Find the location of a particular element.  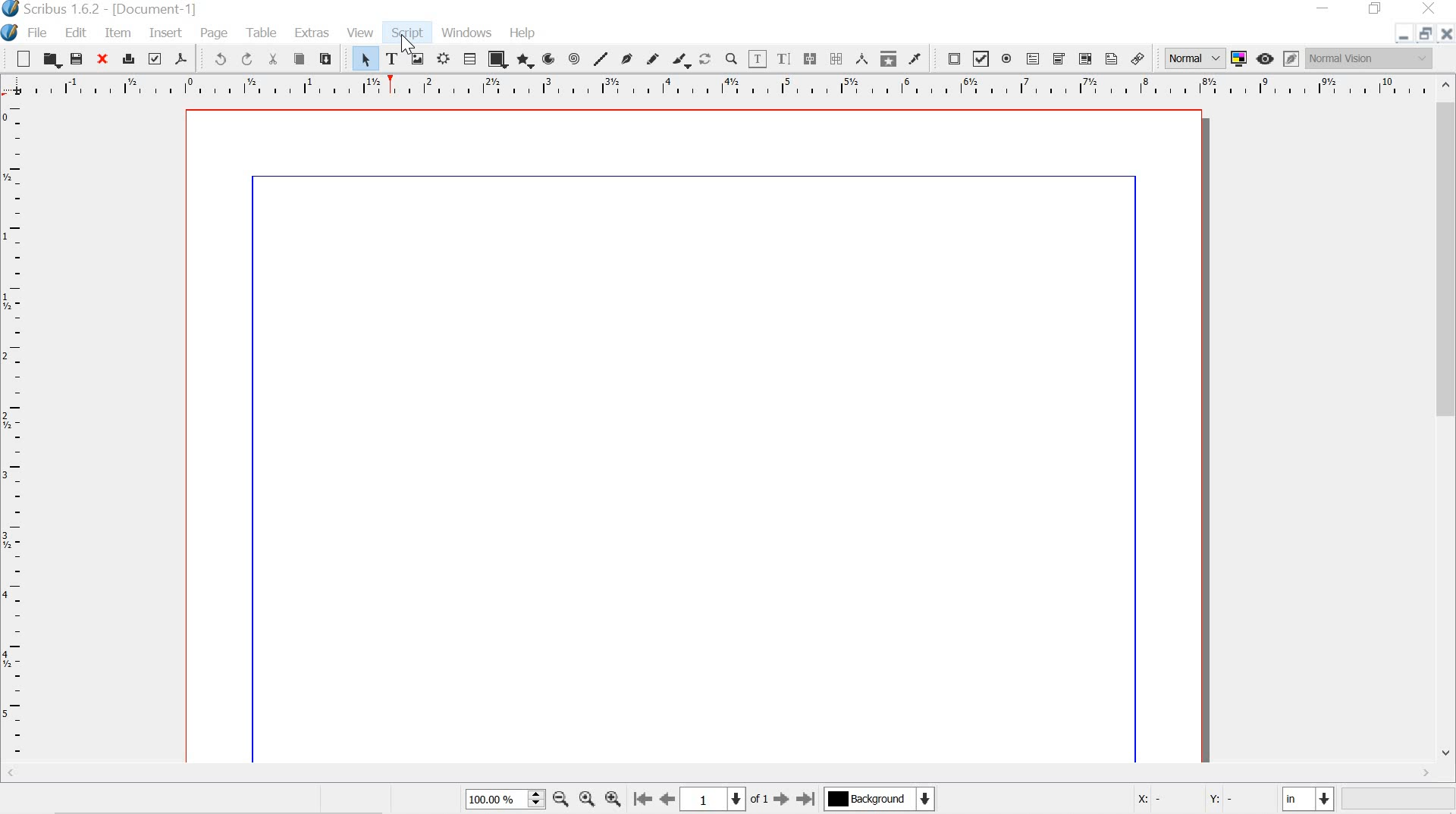

spiral is located at coordinates (573, 58).